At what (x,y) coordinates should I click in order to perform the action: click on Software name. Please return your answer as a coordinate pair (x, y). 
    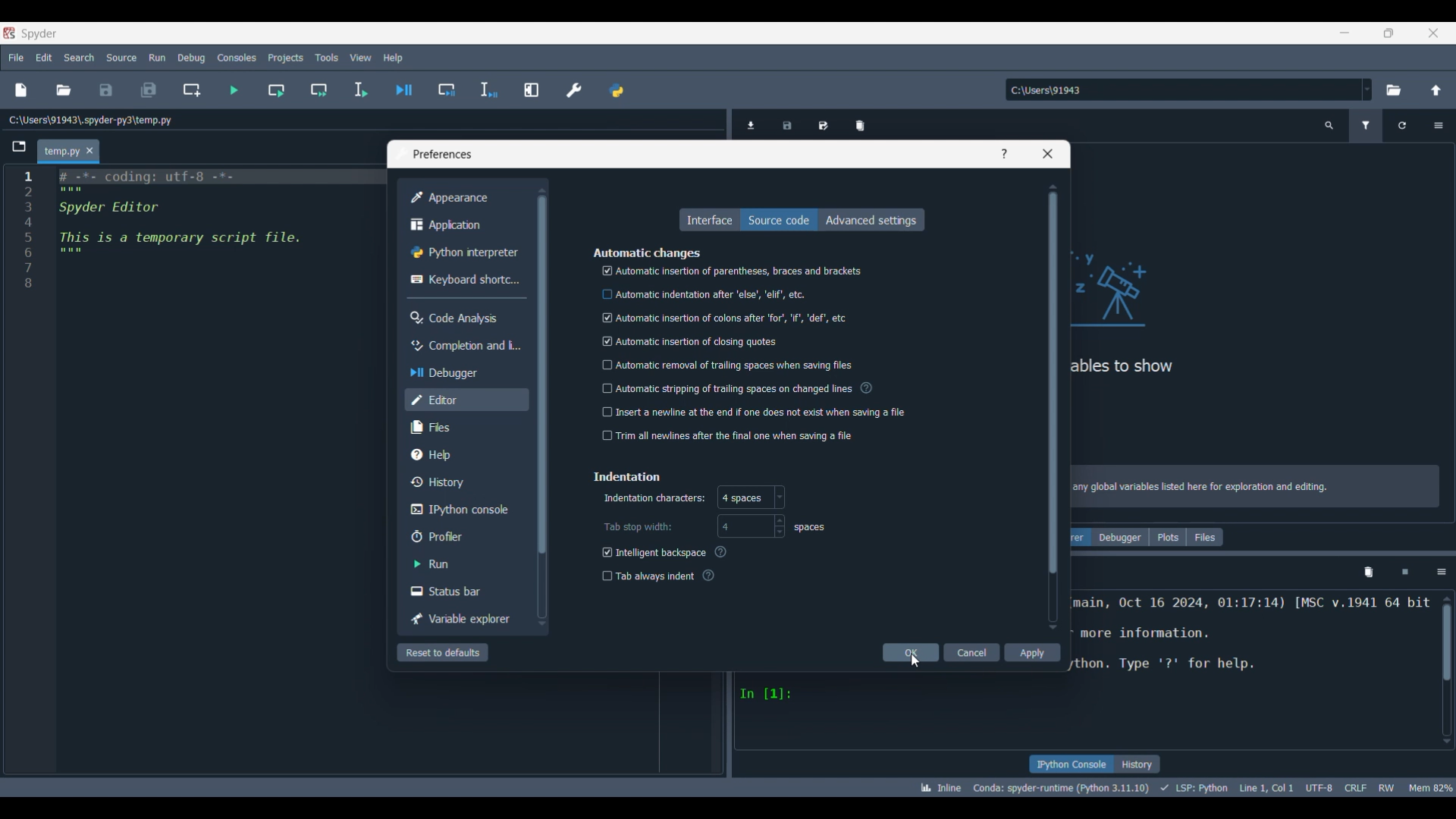
    Looking at the image, I should click on (39, 34).